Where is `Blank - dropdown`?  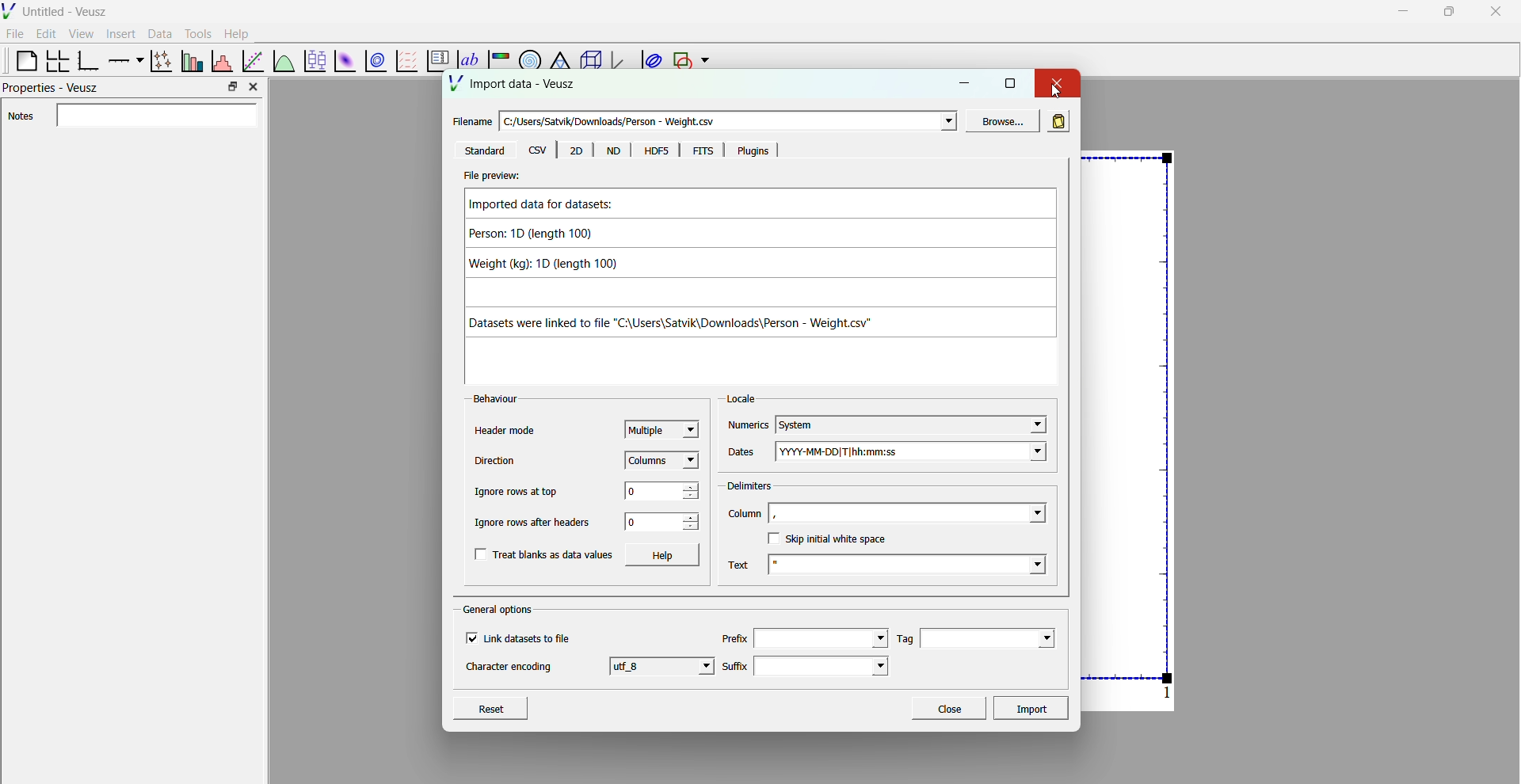 Blank - dropdown is located at coordinates (928, 512).